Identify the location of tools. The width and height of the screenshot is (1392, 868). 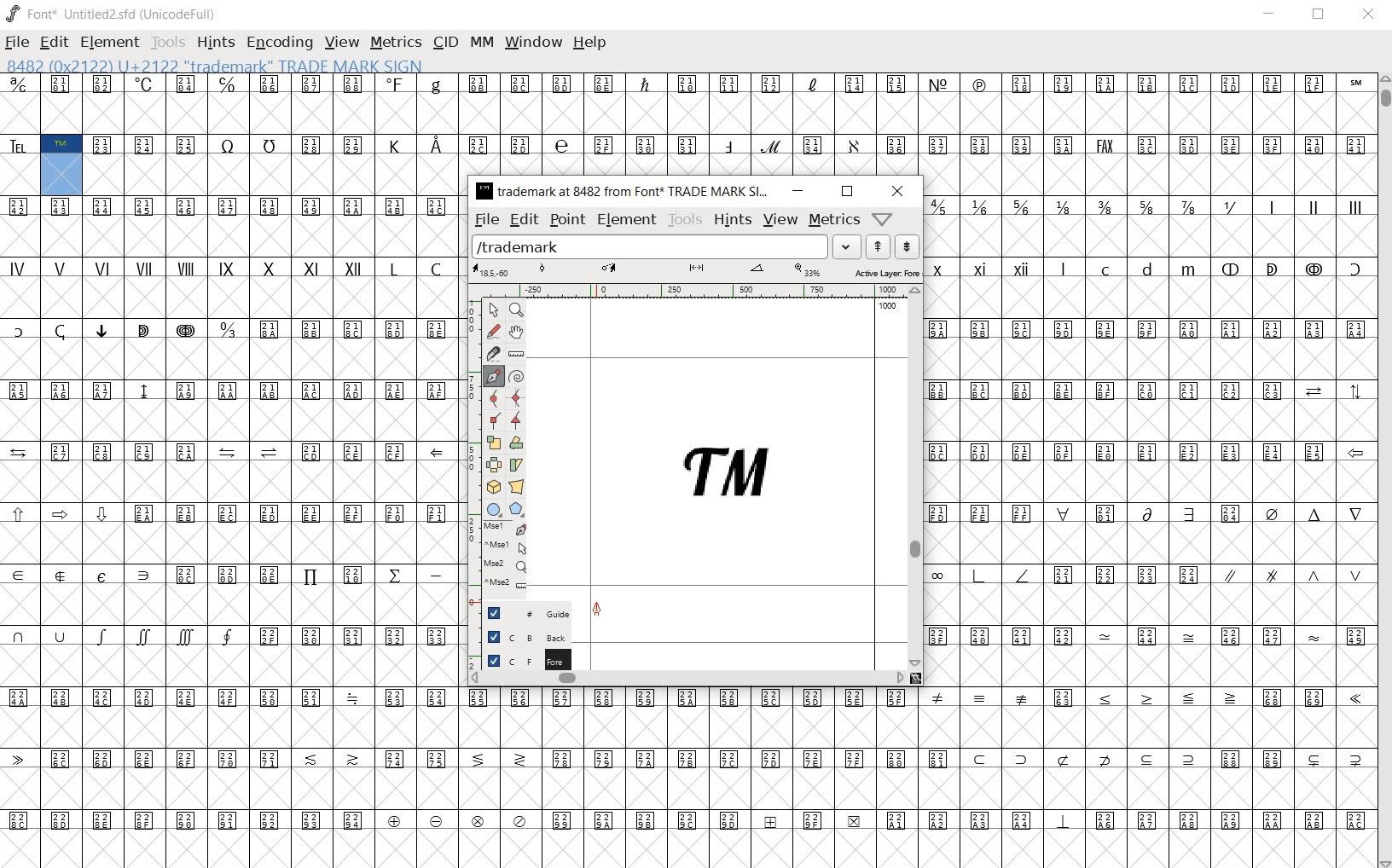
(683, 220).